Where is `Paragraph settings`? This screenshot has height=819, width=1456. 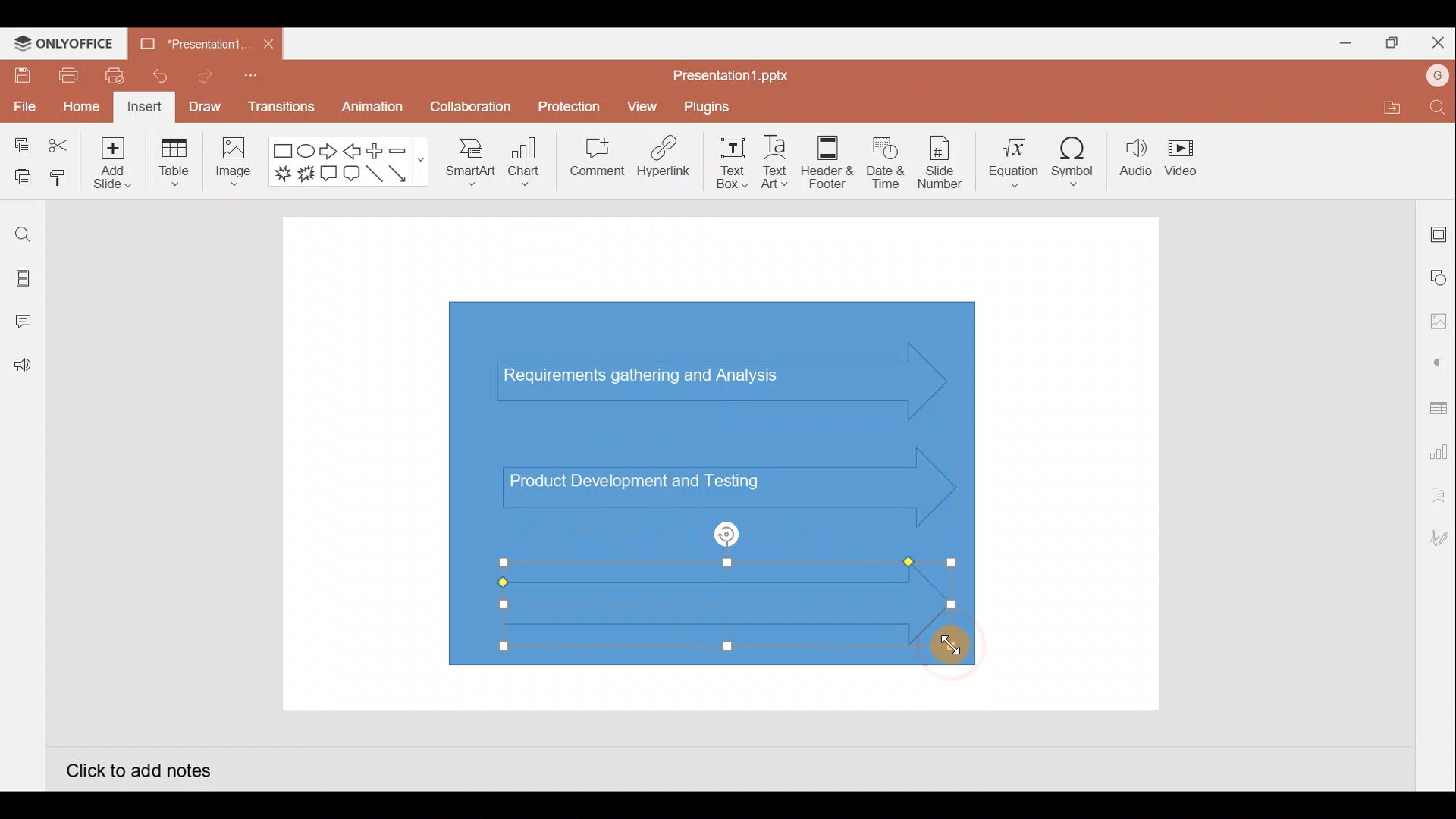
Paragraph settings is located at coordinates (1438, 362).